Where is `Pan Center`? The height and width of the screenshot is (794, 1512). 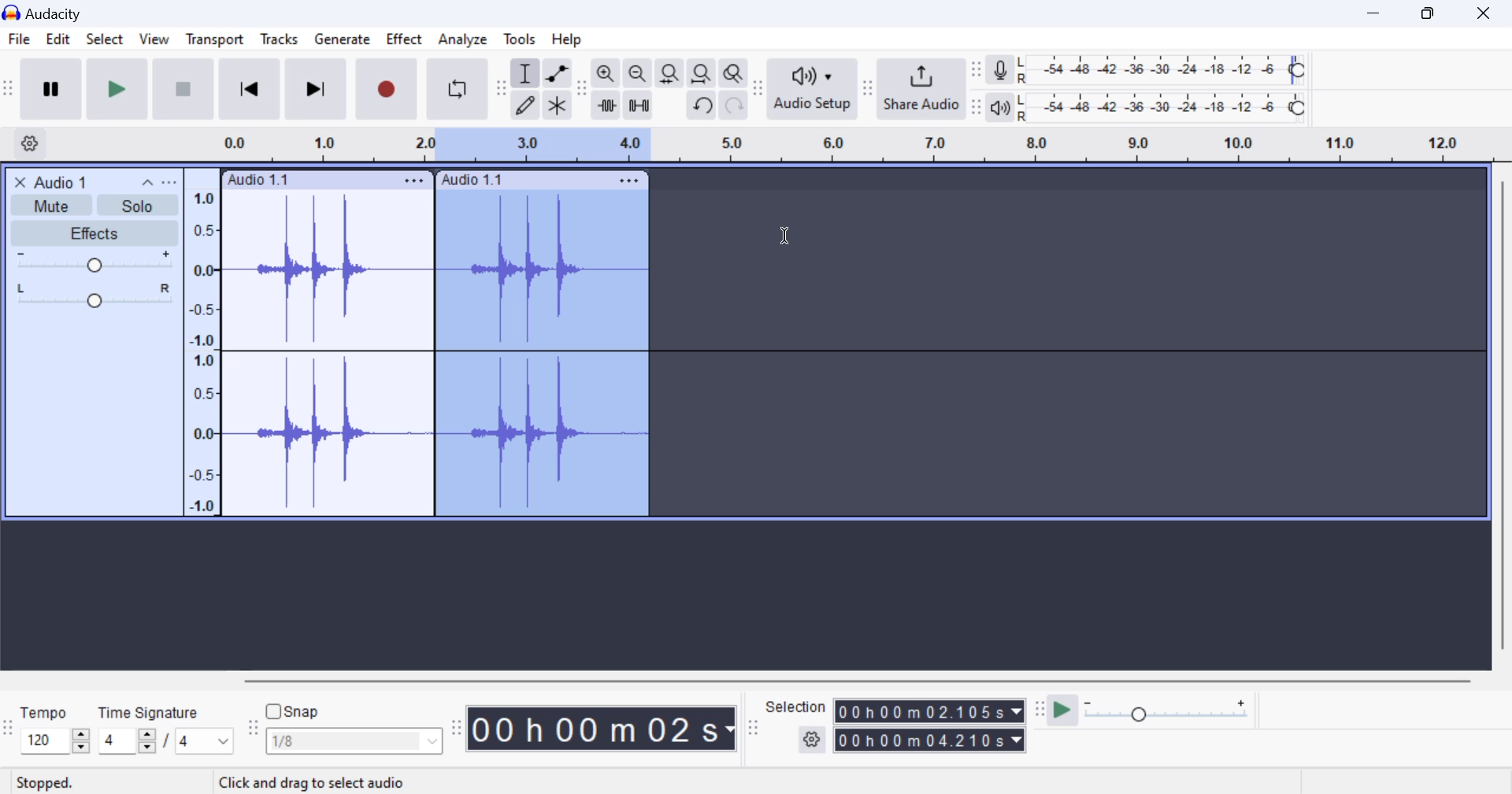
Pan Center is located at coordinates (98, 295).